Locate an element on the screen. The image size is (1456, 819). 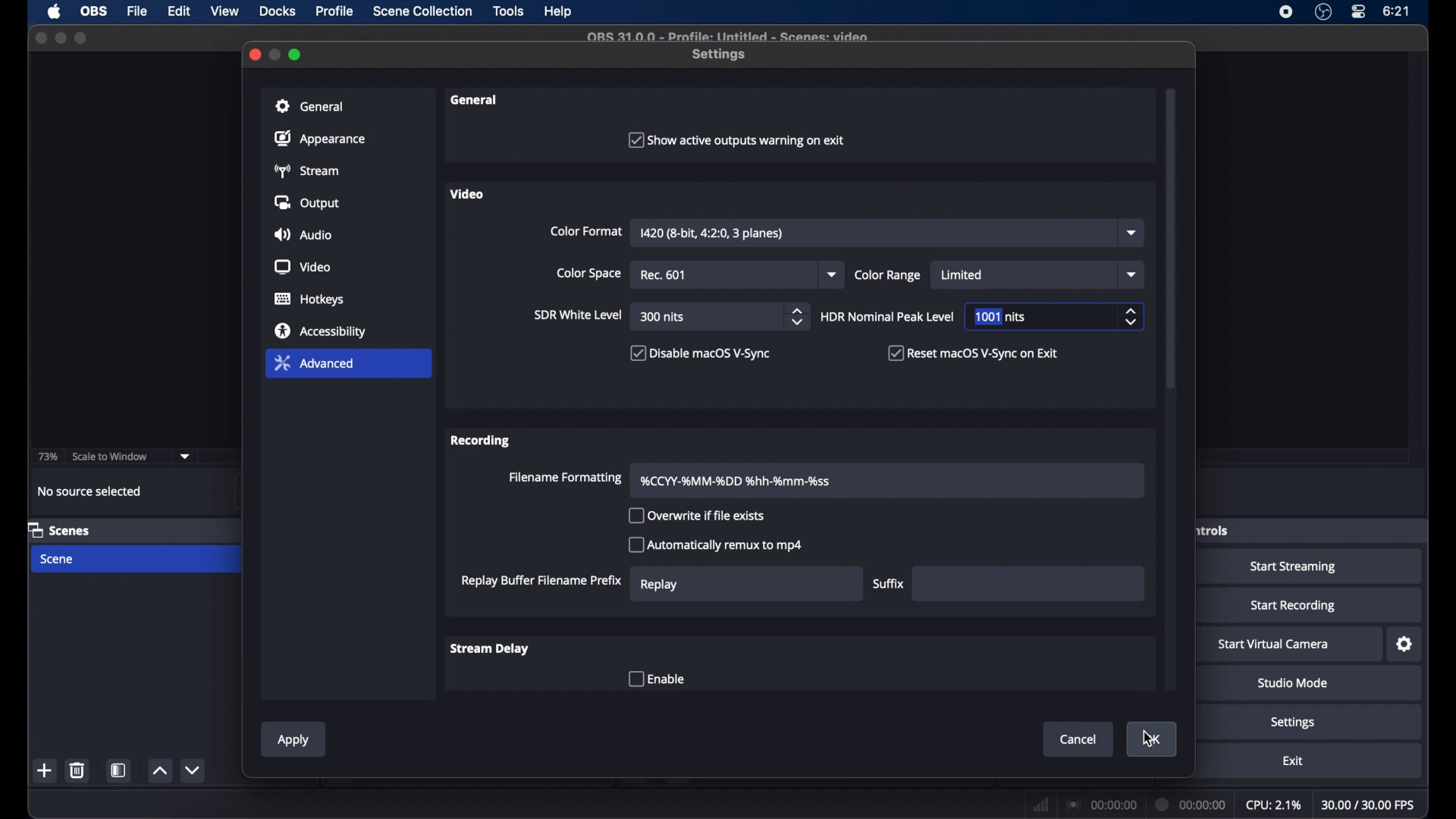
HDR nominal peak level is located at coordinates (887, 317).